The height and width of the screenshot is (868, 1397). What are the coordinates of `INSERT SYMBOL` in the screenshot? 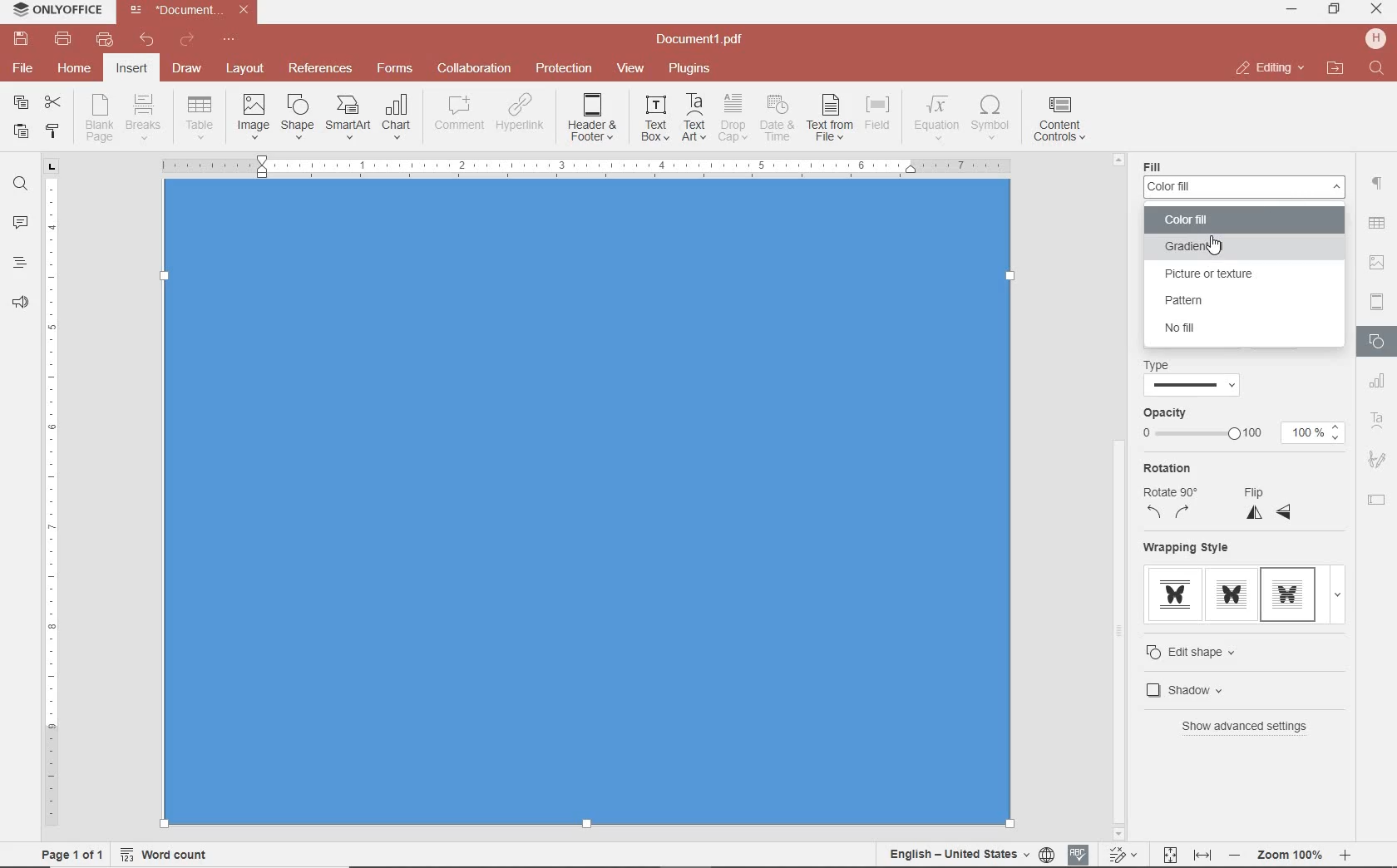 It's located at (990, 116).